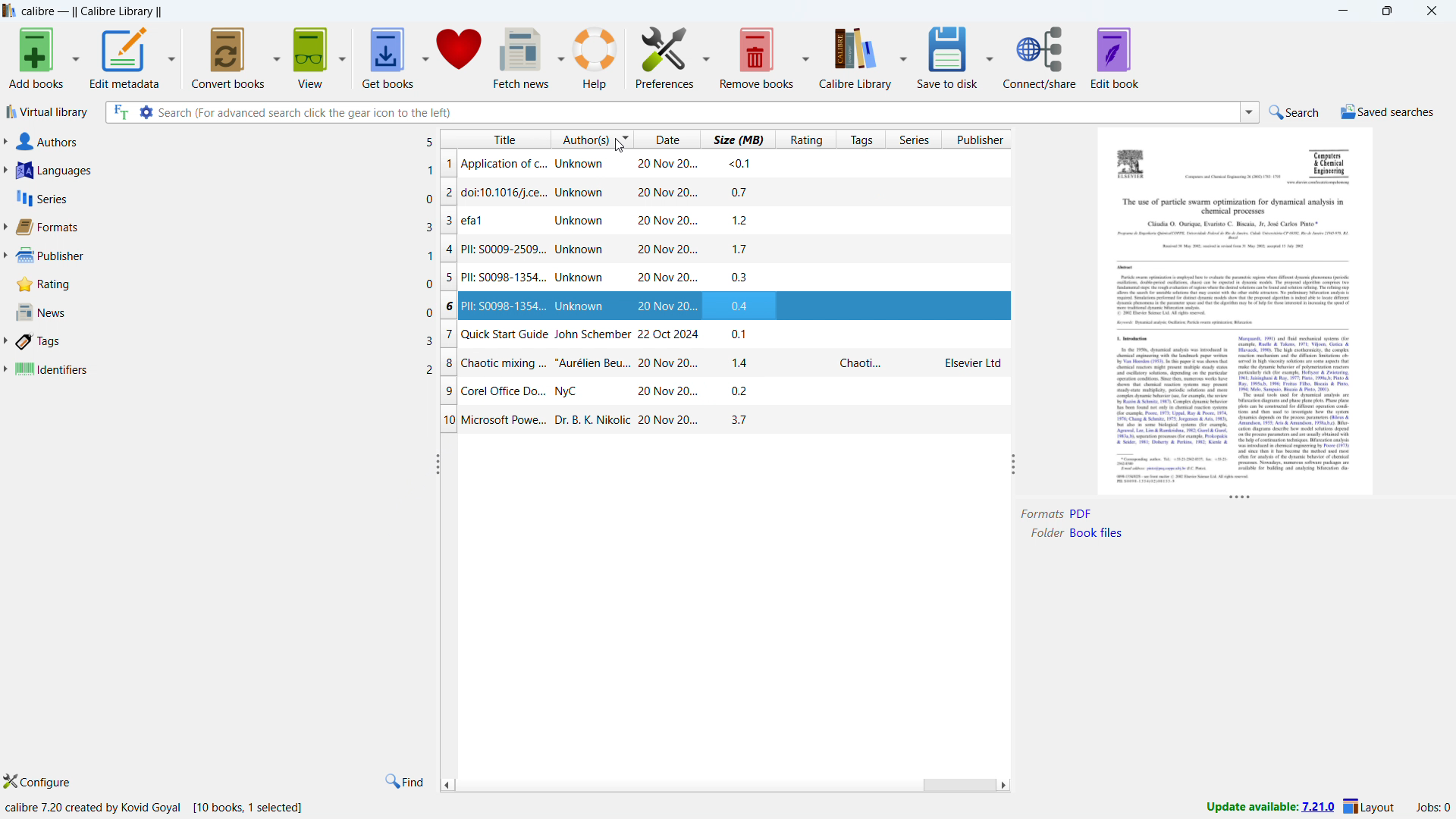  Describe the element at coordinates (989, 57) in the screenshot. I see `Save to disk options` at that location.